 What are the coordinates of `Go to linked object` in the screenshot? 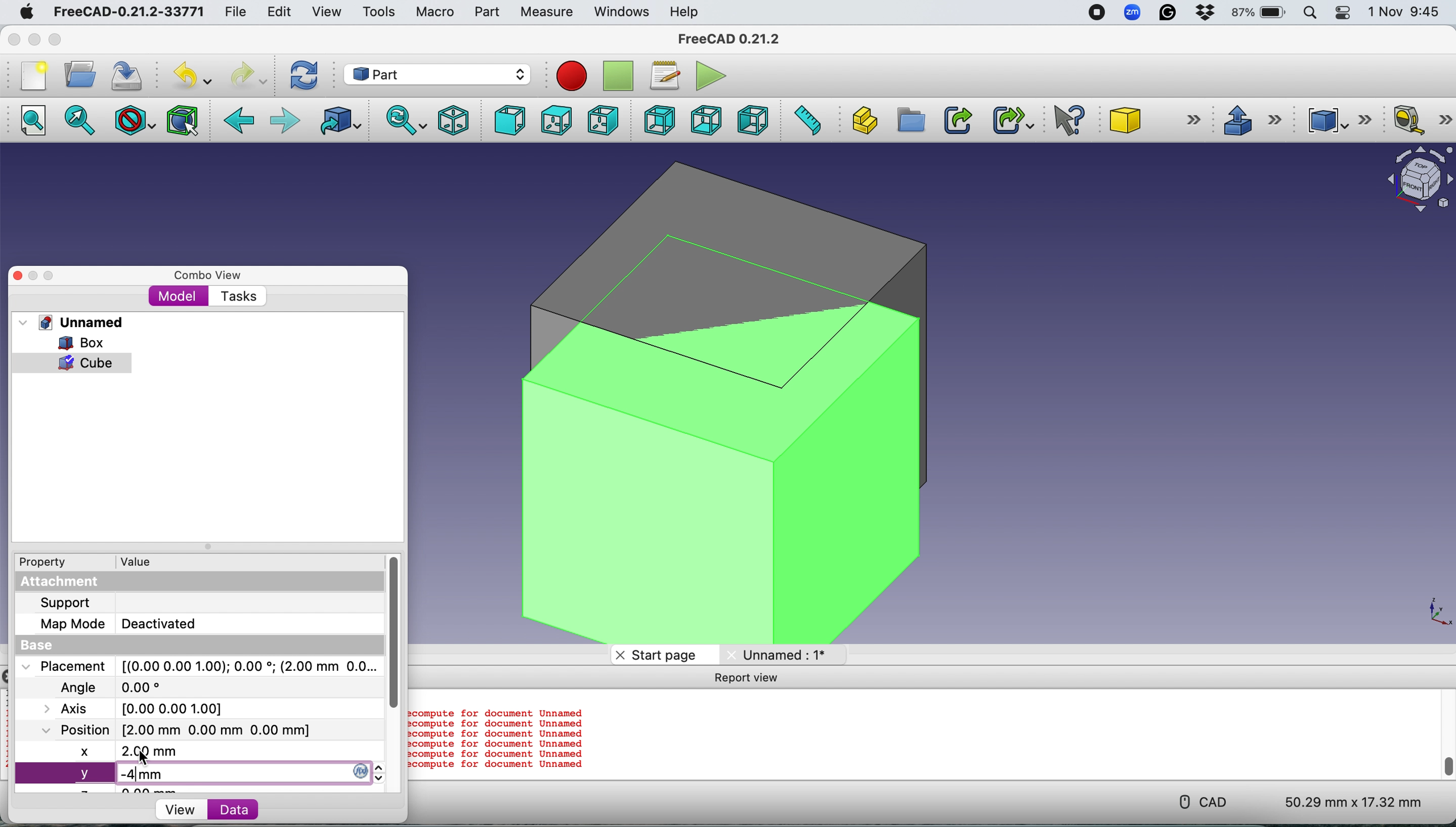 It's located at (343, 121).